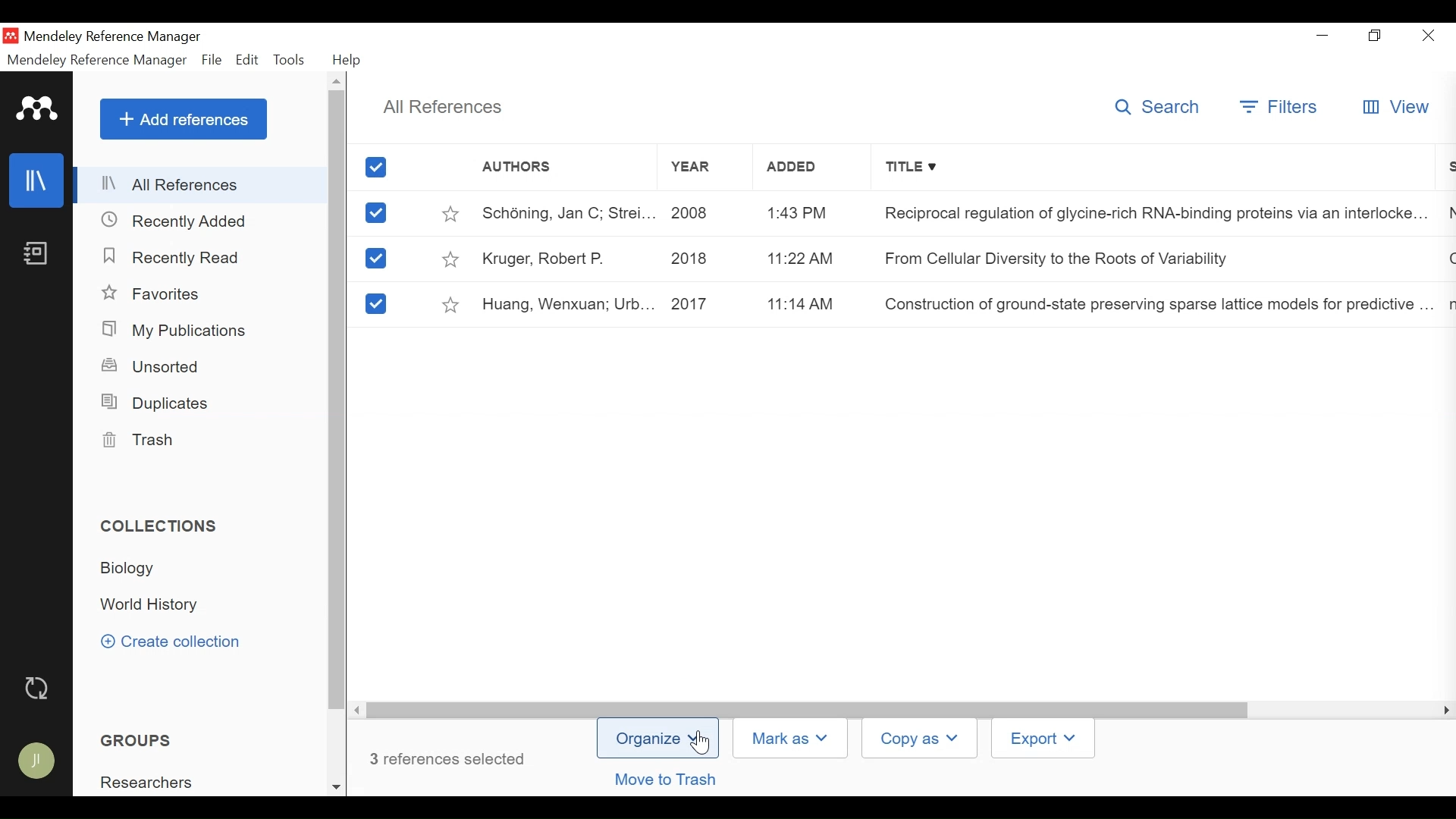 The height and width of the screenshot is (819, 1456). What do you see at coordinates (375, 259) in the screenshot?
I see `(un)select` at bounding box center [375, 259].